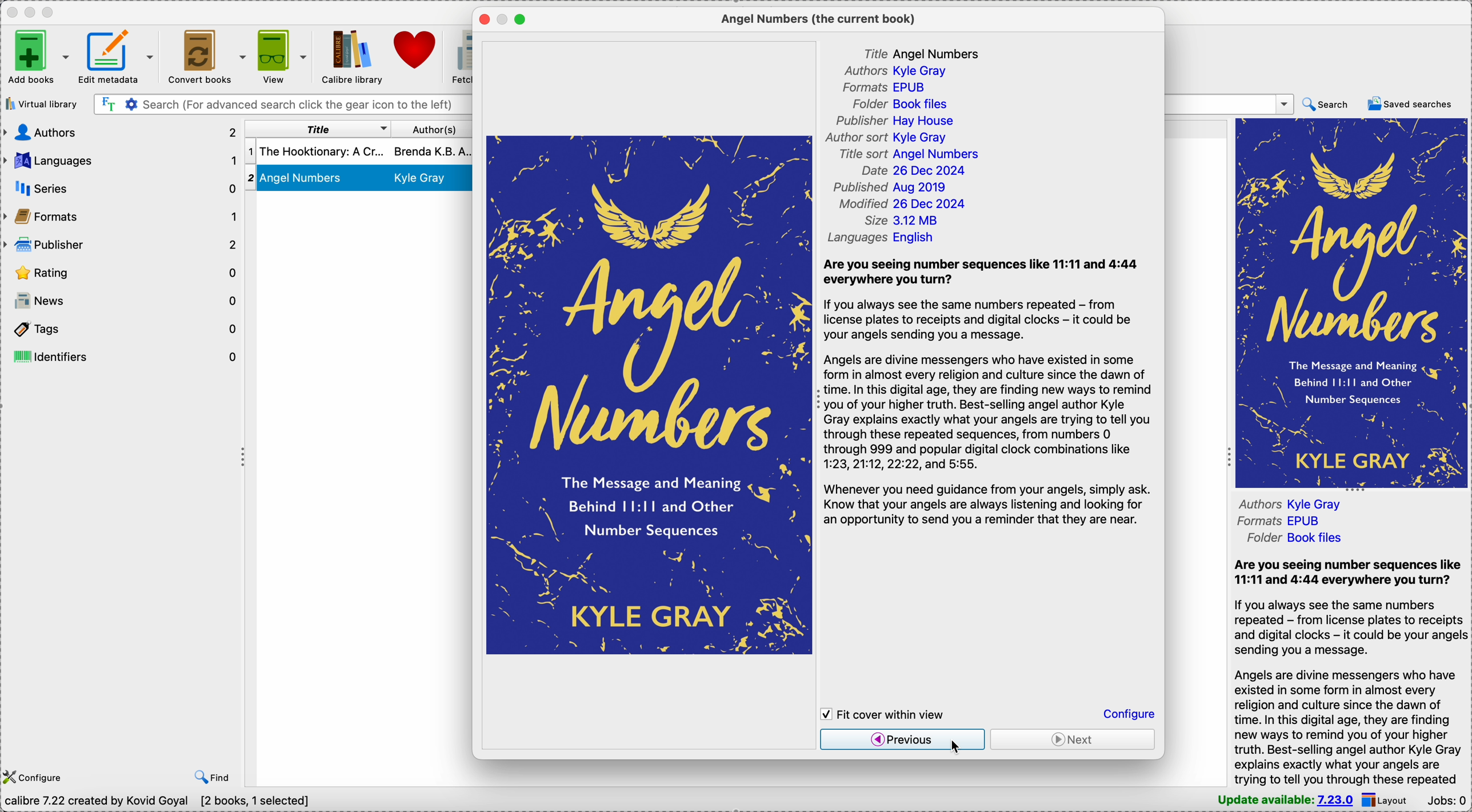 This screenshot has height=812, width=1472. Describe the element at coordinates (359, 179) in the screenshot. I see `Angel numbers book details` at that location.